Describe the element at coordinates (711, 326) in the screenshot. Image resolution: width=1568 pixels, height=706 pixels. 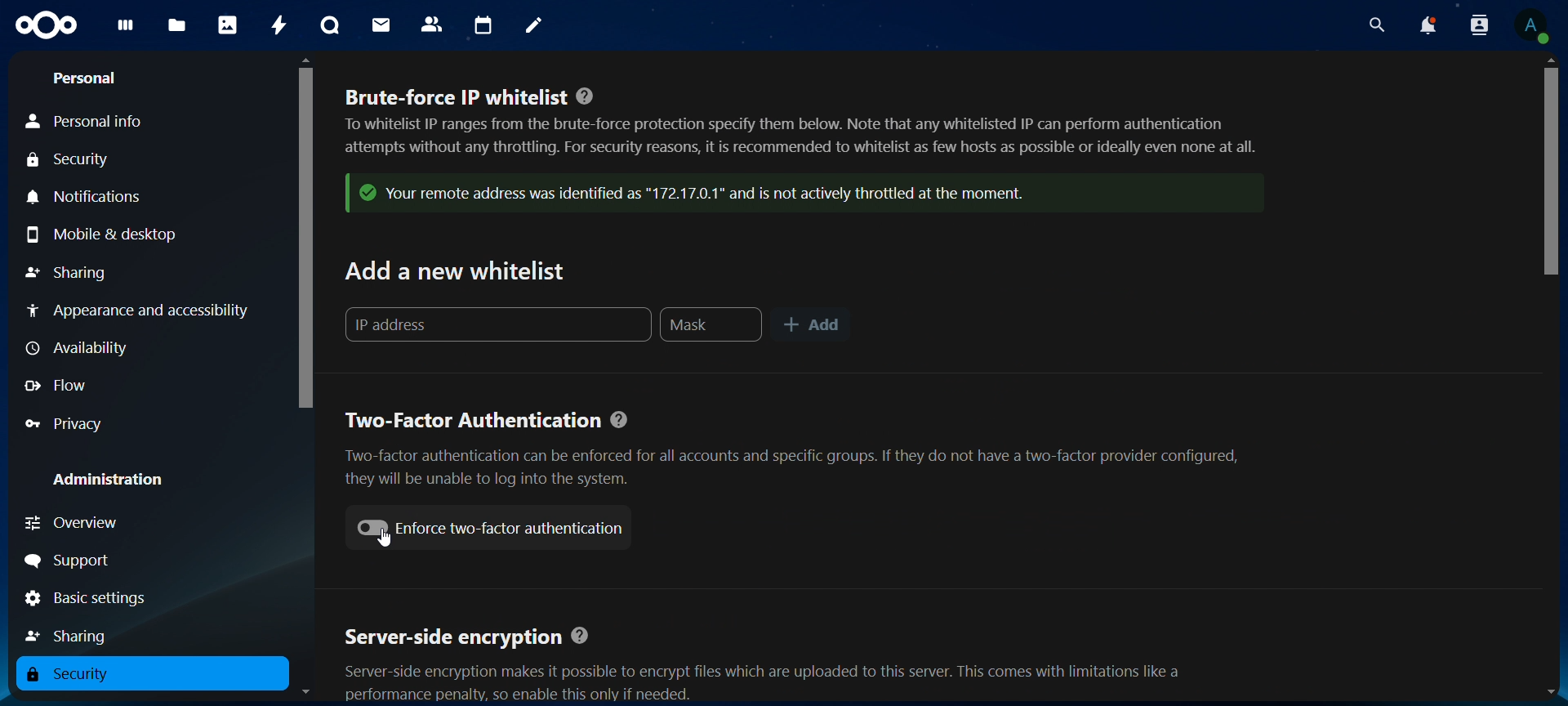
I see `mask` at that location.